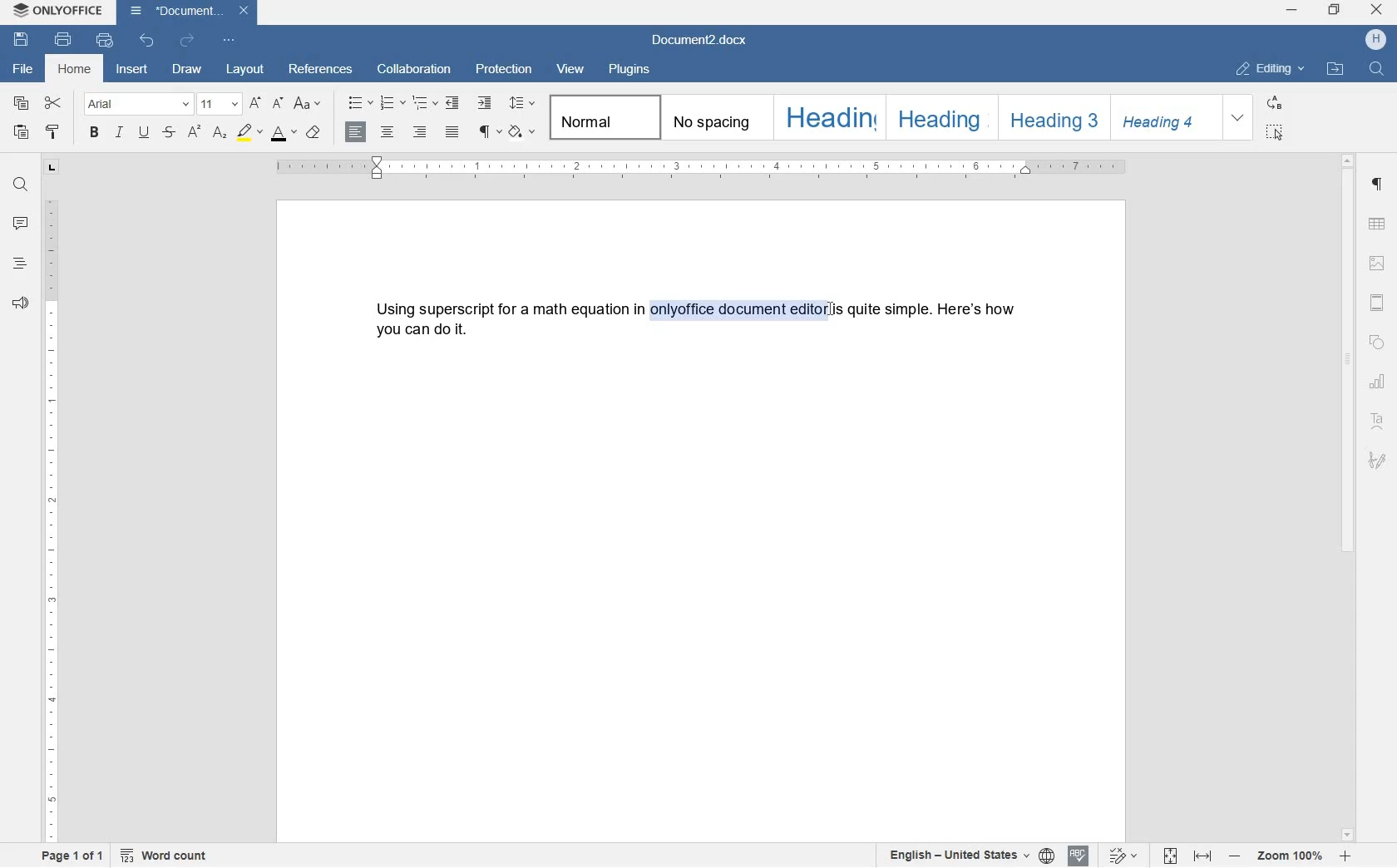 This screenshot has width=1397, height=868. Describe the element at coordinates (52, 169) in the screenshot. I see `tab` at that location.